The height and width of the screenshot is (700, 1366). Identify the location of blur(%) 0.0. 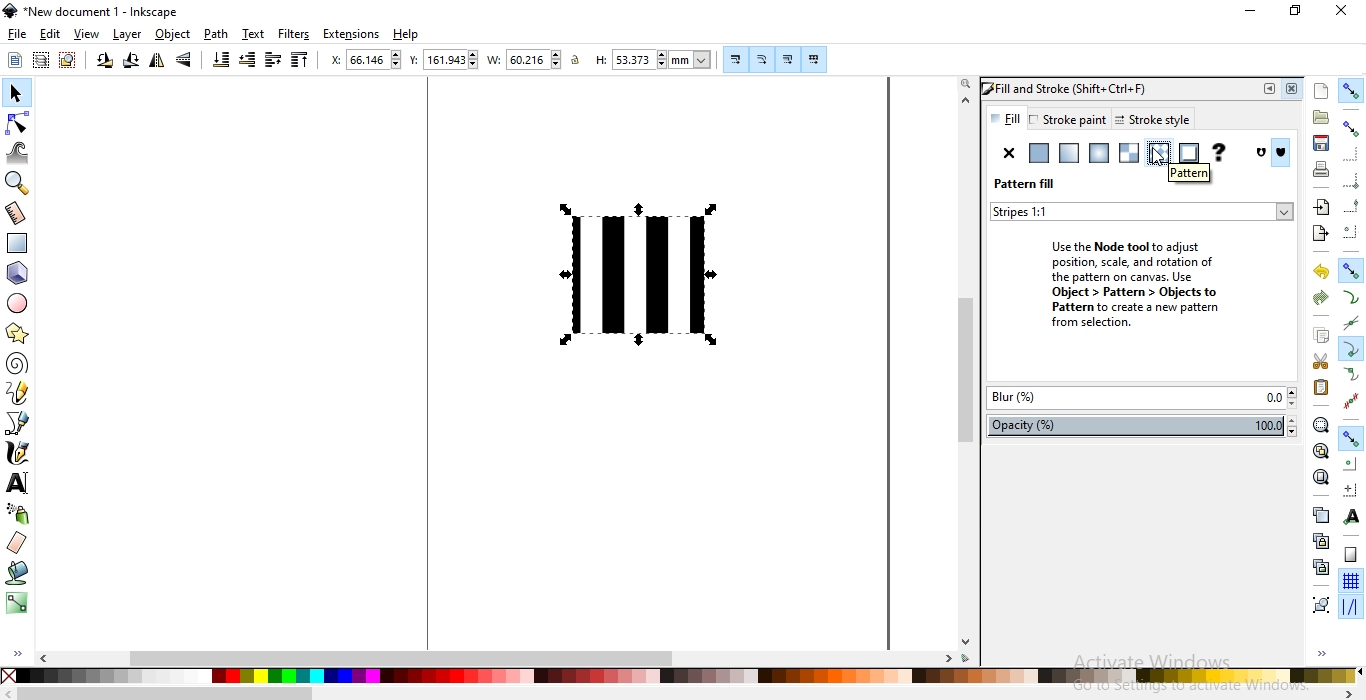
(1141, 400).